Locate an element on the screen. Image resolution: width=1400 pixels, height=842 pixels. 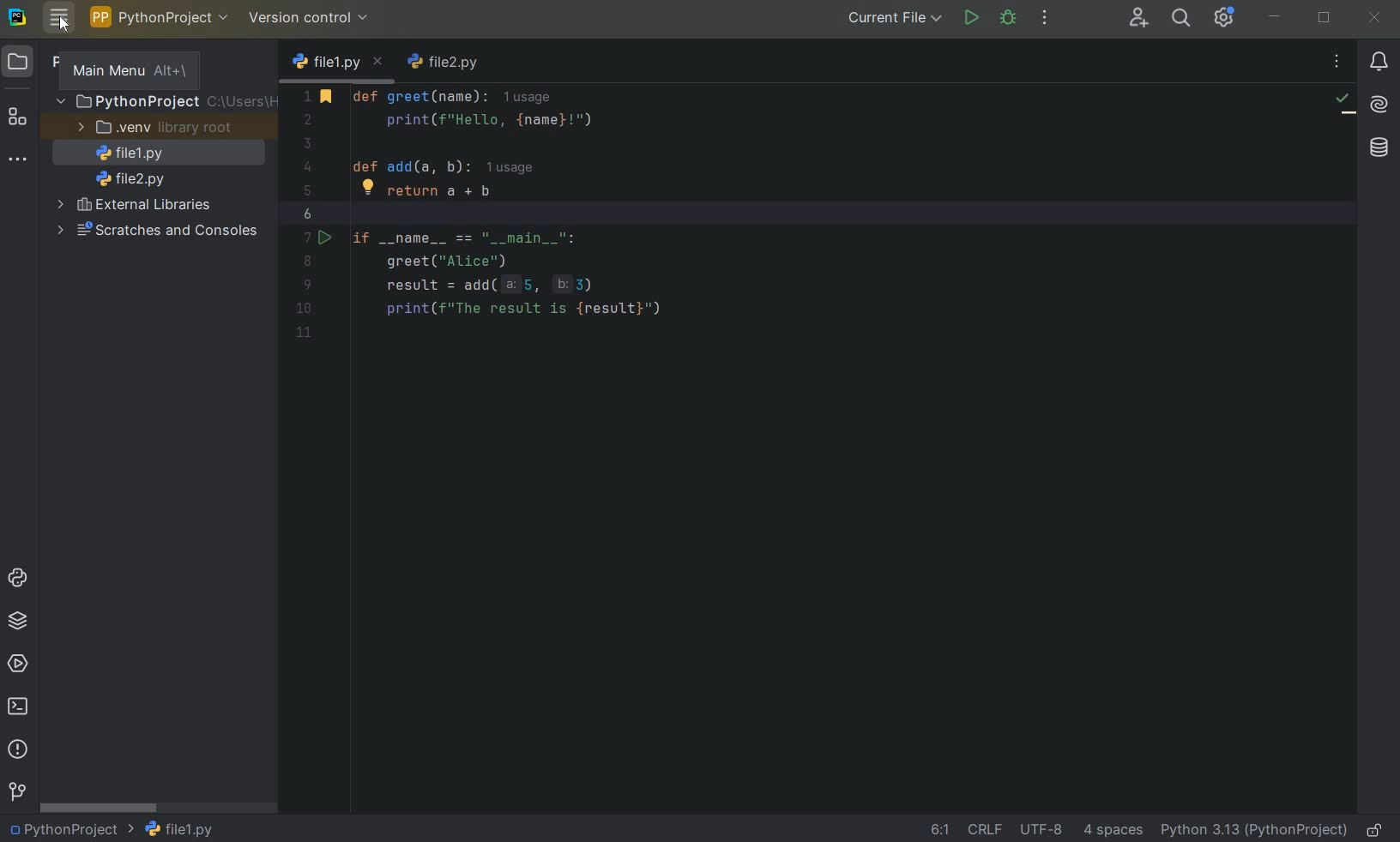
current interpreter is located at coordinates (1253, 830).